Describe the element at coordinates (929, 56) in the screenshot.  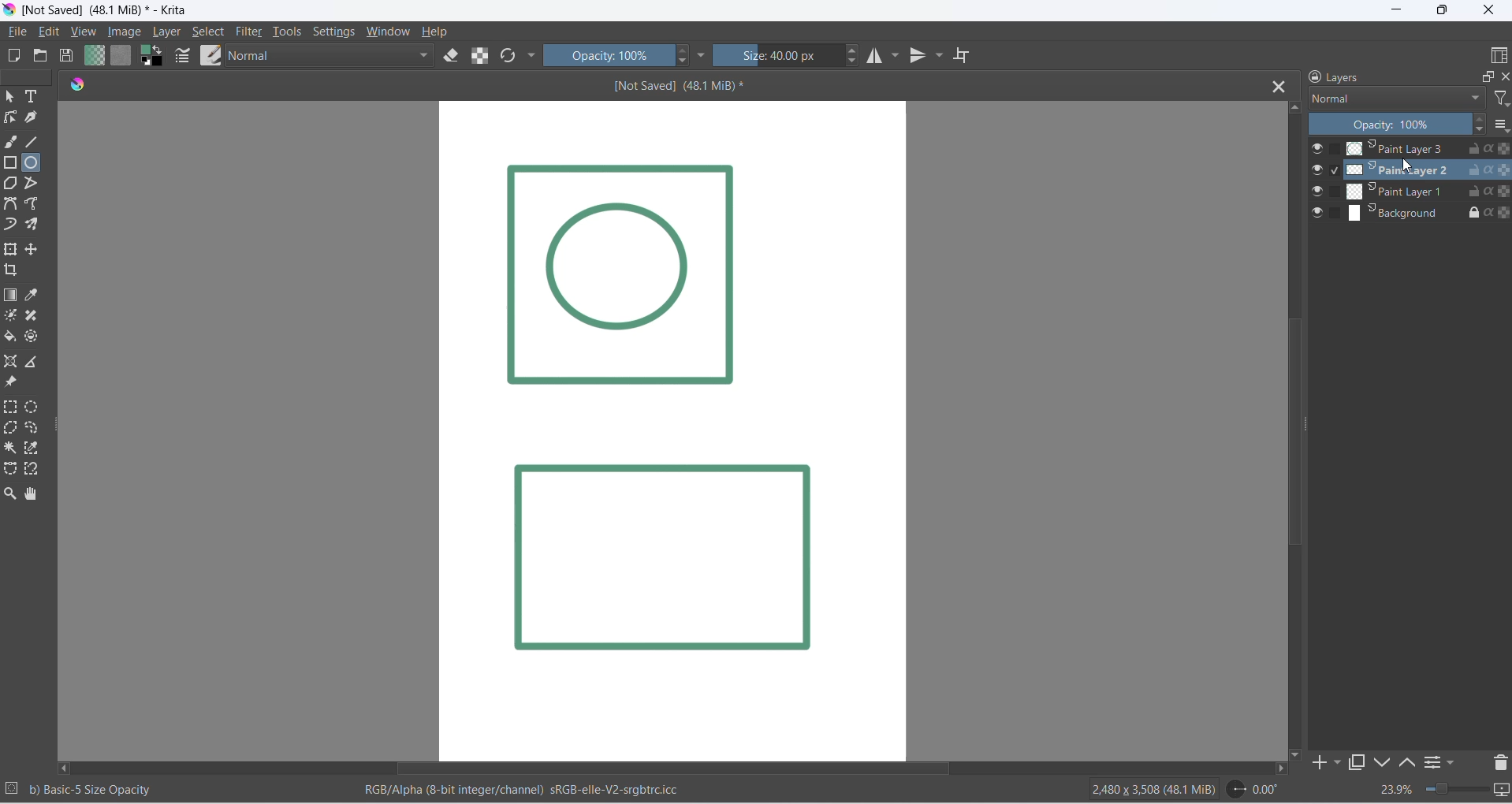
I see `vertical mirror tool` at that location.